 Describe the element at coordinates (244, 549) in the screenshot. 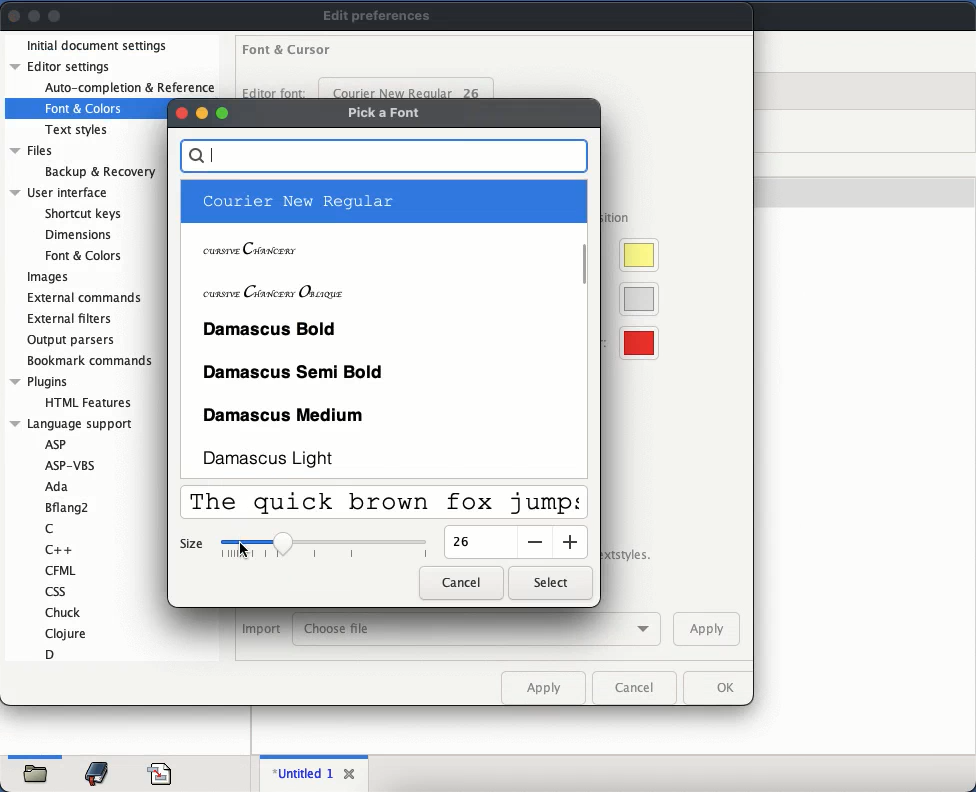

I see `cursor` at that location.